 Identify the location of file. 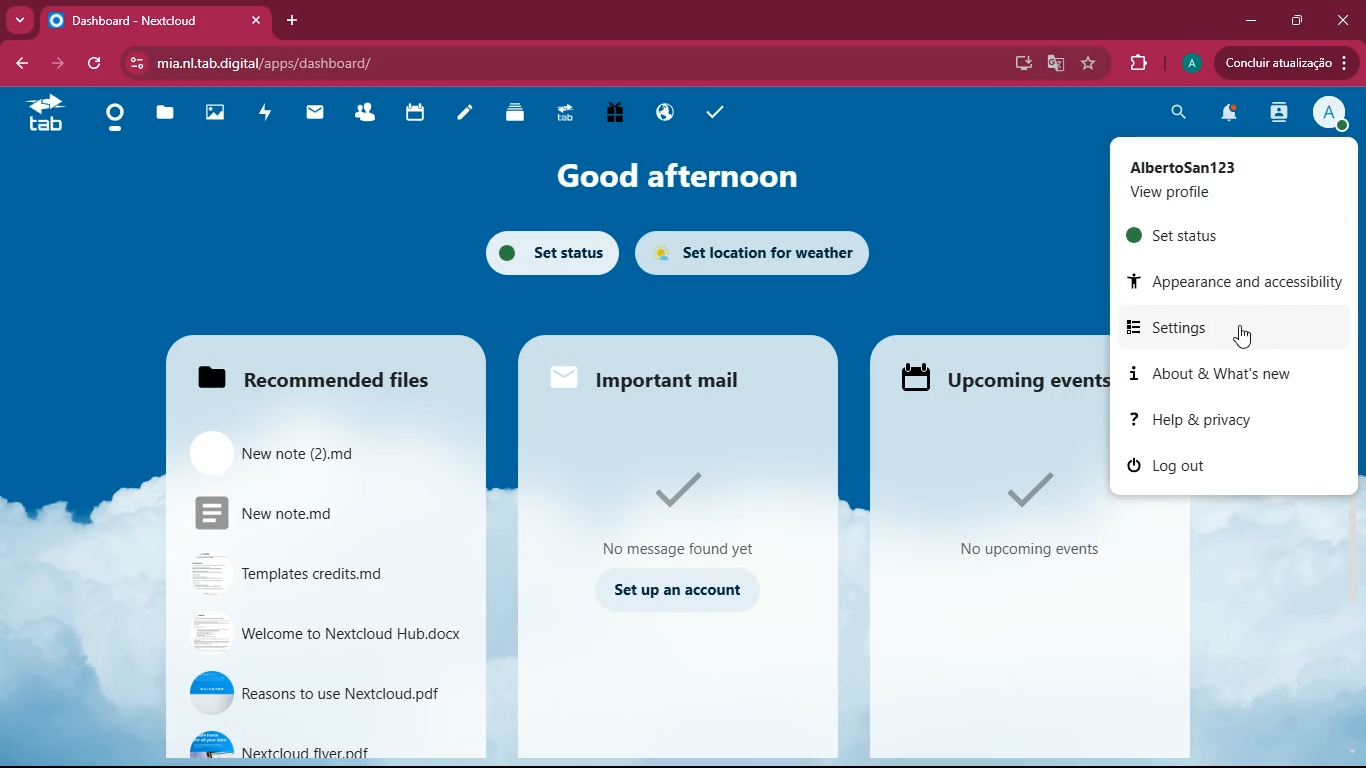
(324, 453).